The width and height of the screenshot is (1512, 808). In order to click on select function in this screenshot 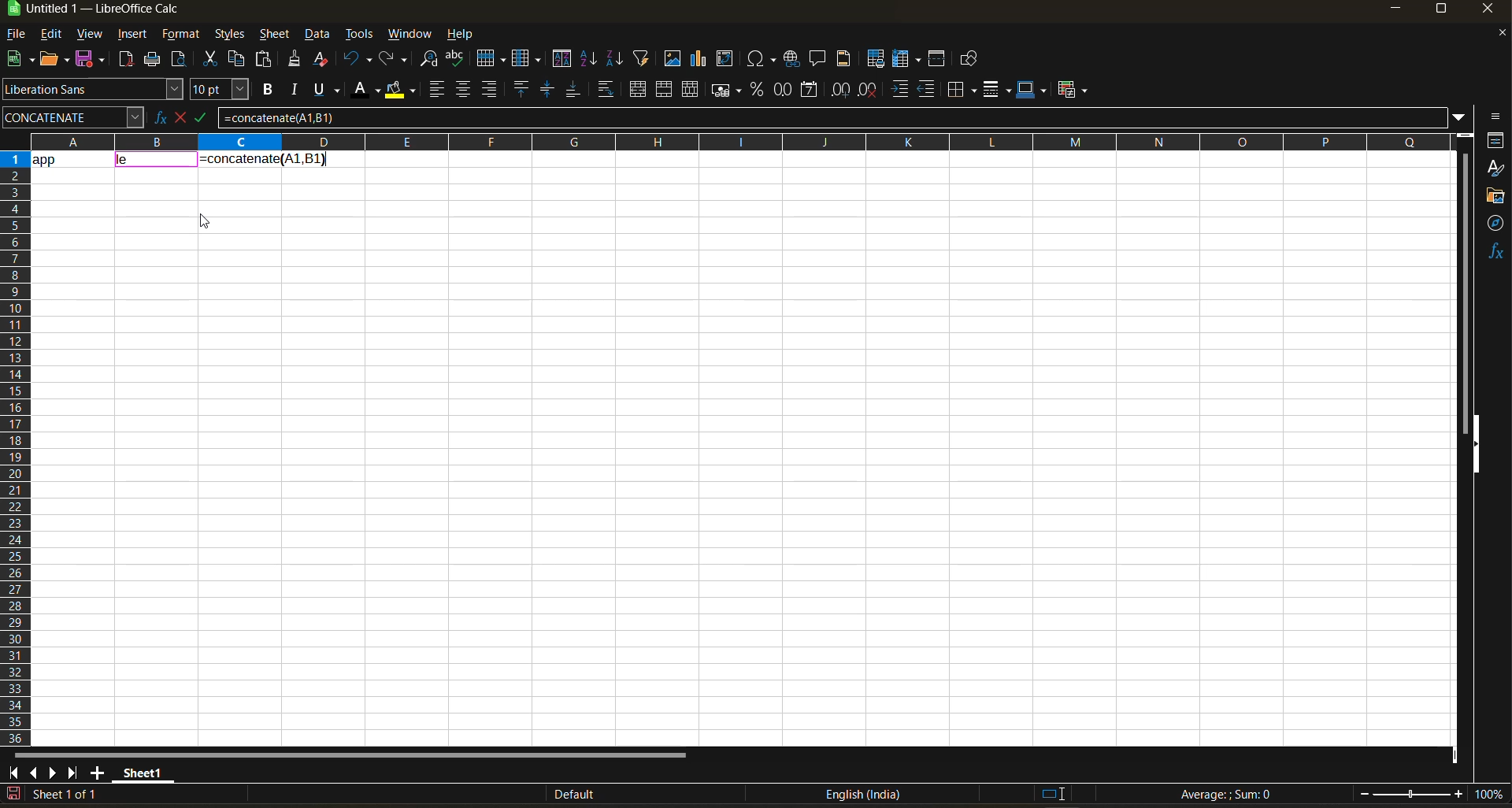, I will do `click(183, 116)`.